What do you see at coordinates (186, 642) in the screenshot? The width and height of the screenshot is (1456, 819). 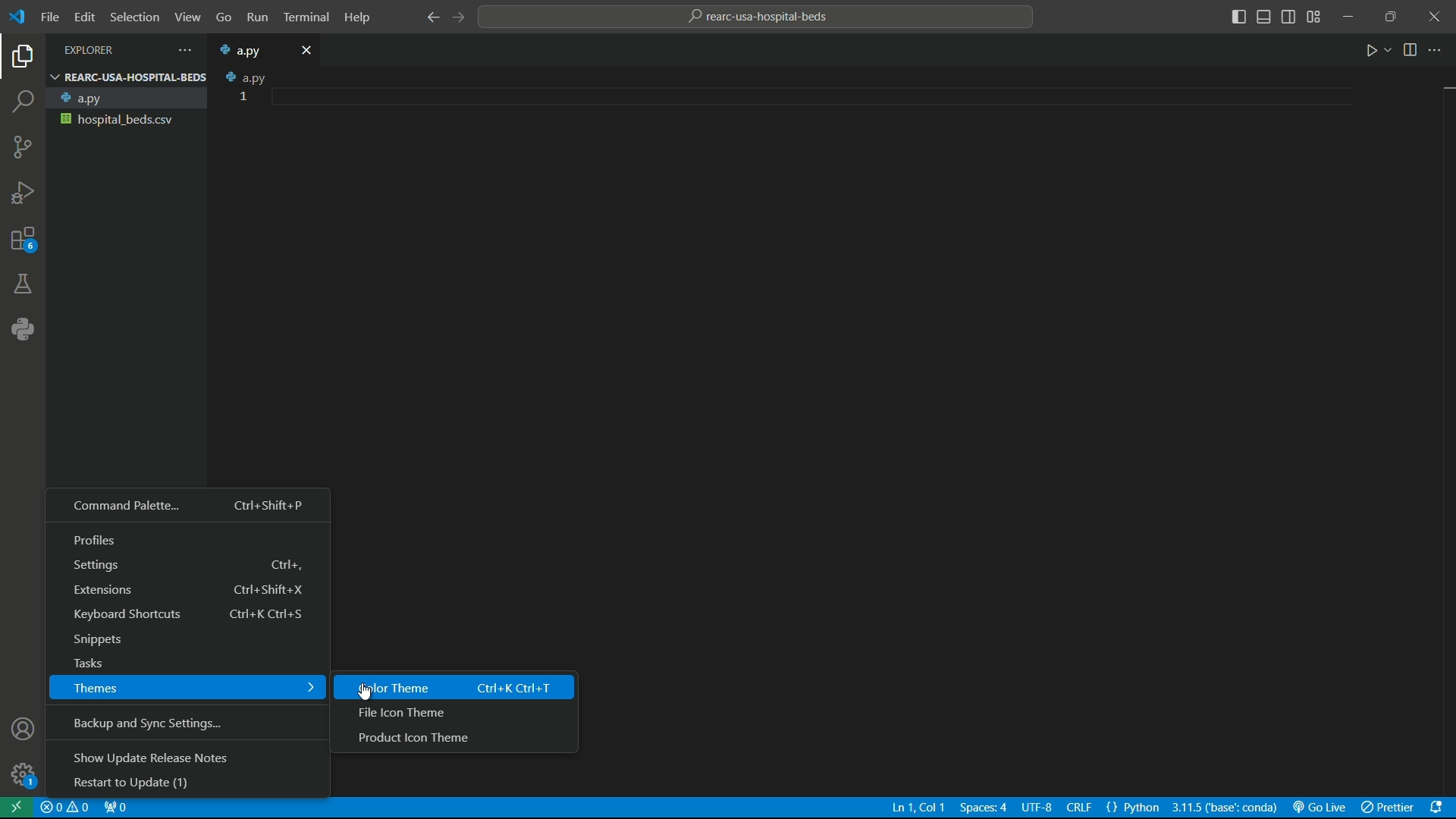 I see `snippets` at bounding box center [186, 642].